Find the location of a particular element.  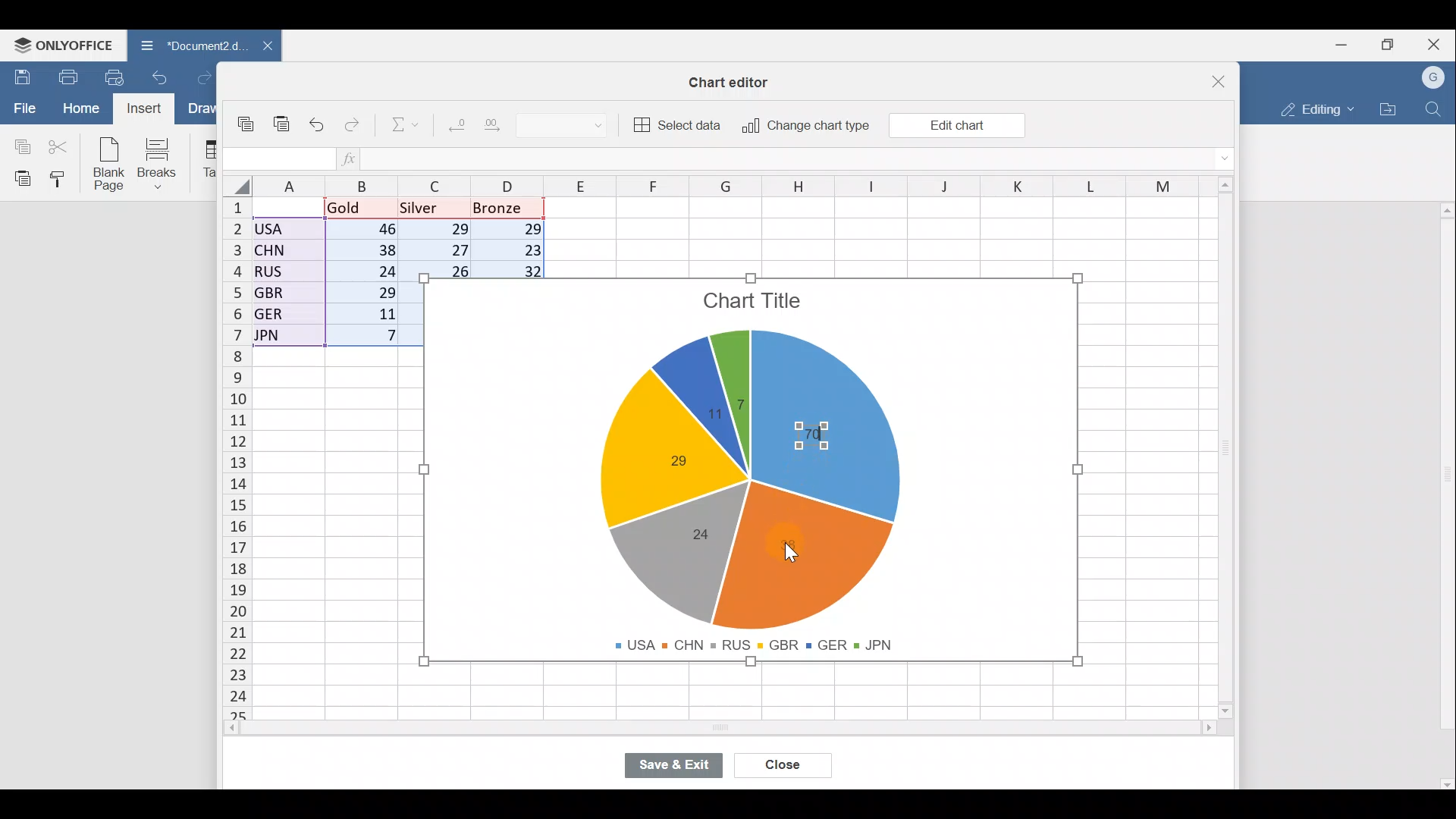

Maximize is located at coordinates (1394, 43).